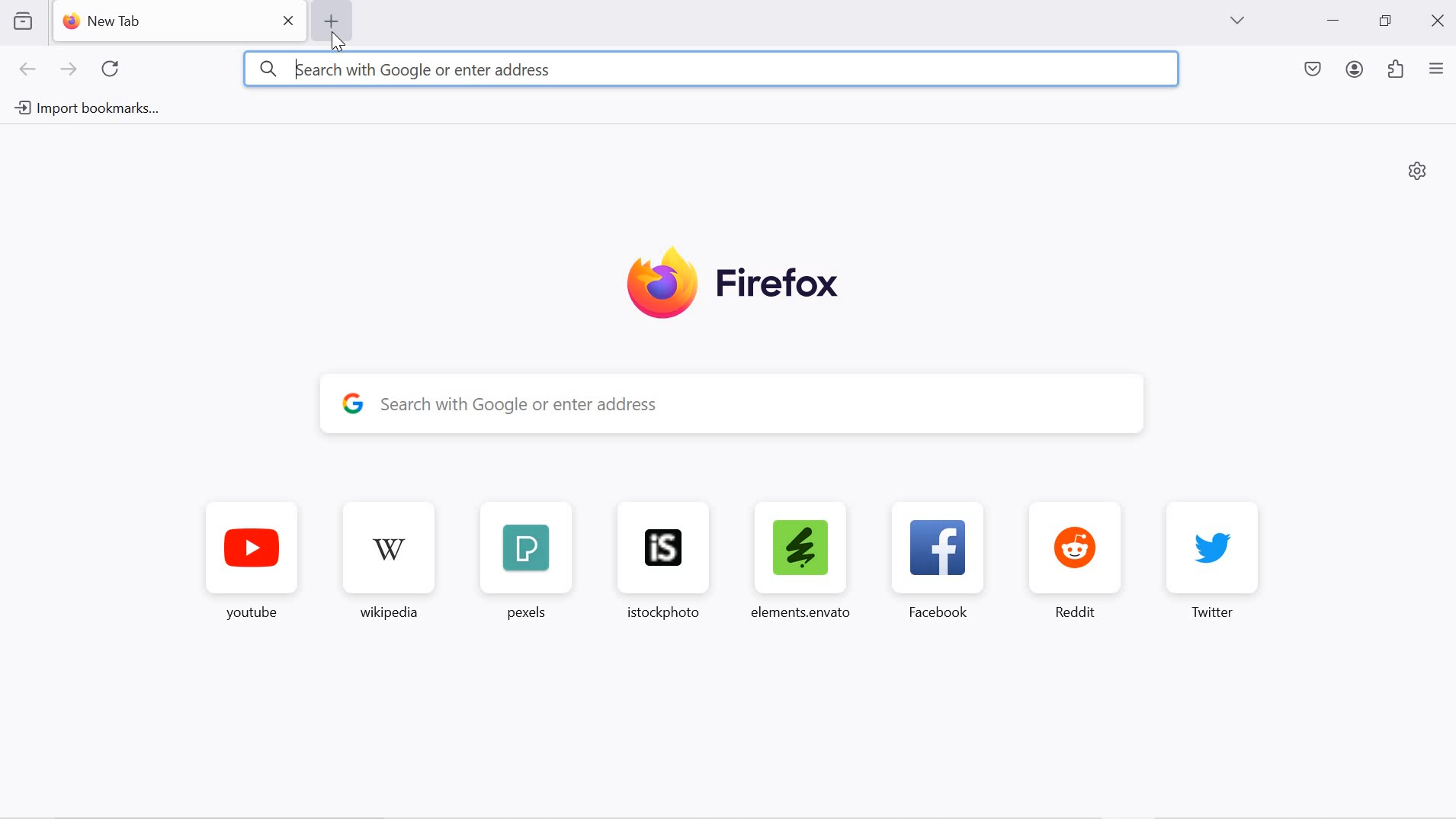 The image size is (1456, 819). What do you see at coordinates (710, 69) in the screenshot?
I see `3 kearch with Google or enter address` at bounding box center [710, 69].